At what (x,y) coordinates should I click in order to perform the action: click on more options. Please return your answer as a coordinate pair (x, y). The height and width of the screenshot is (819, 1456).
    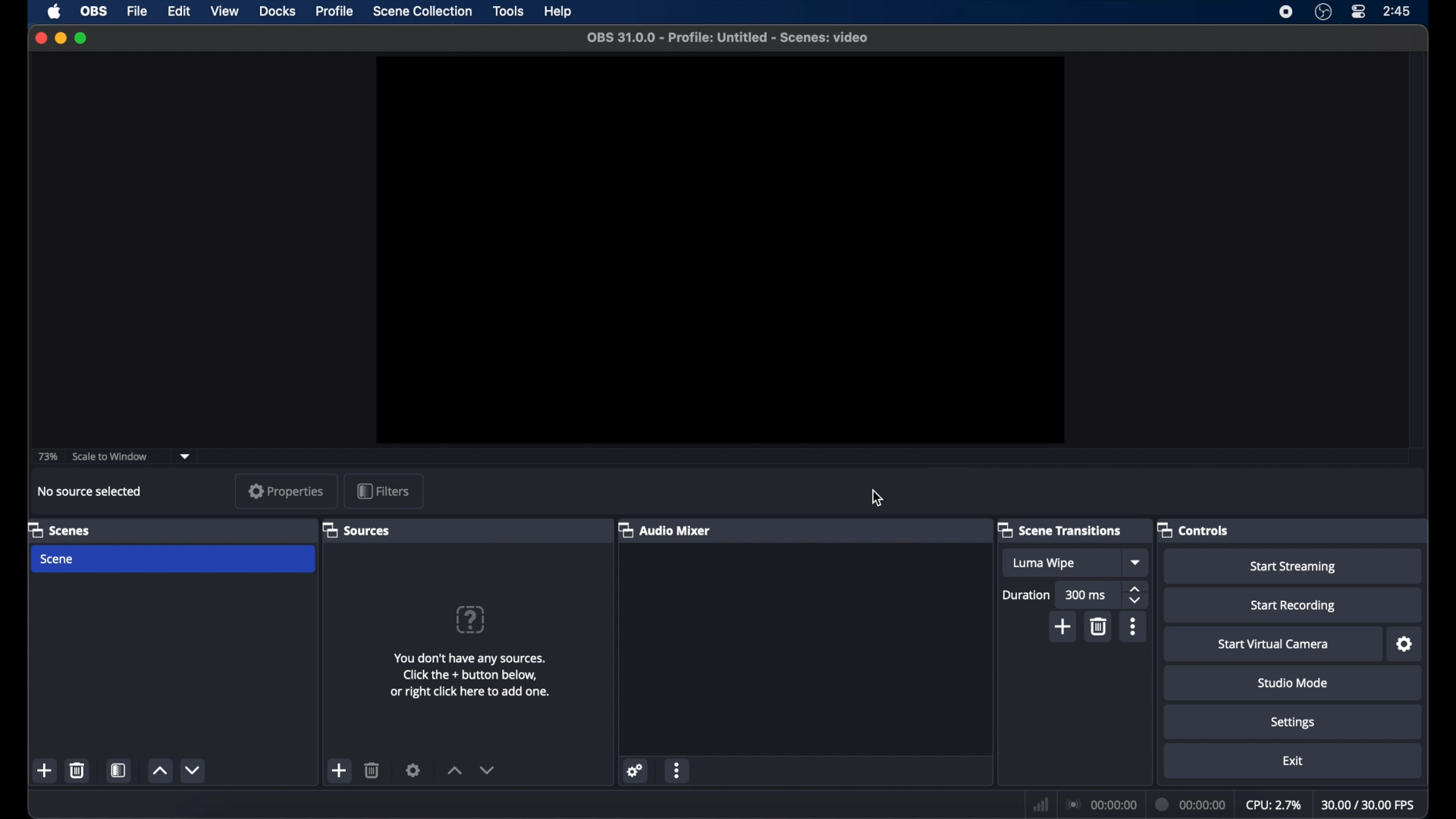
    Looking at the image, I should click on (678, 770).